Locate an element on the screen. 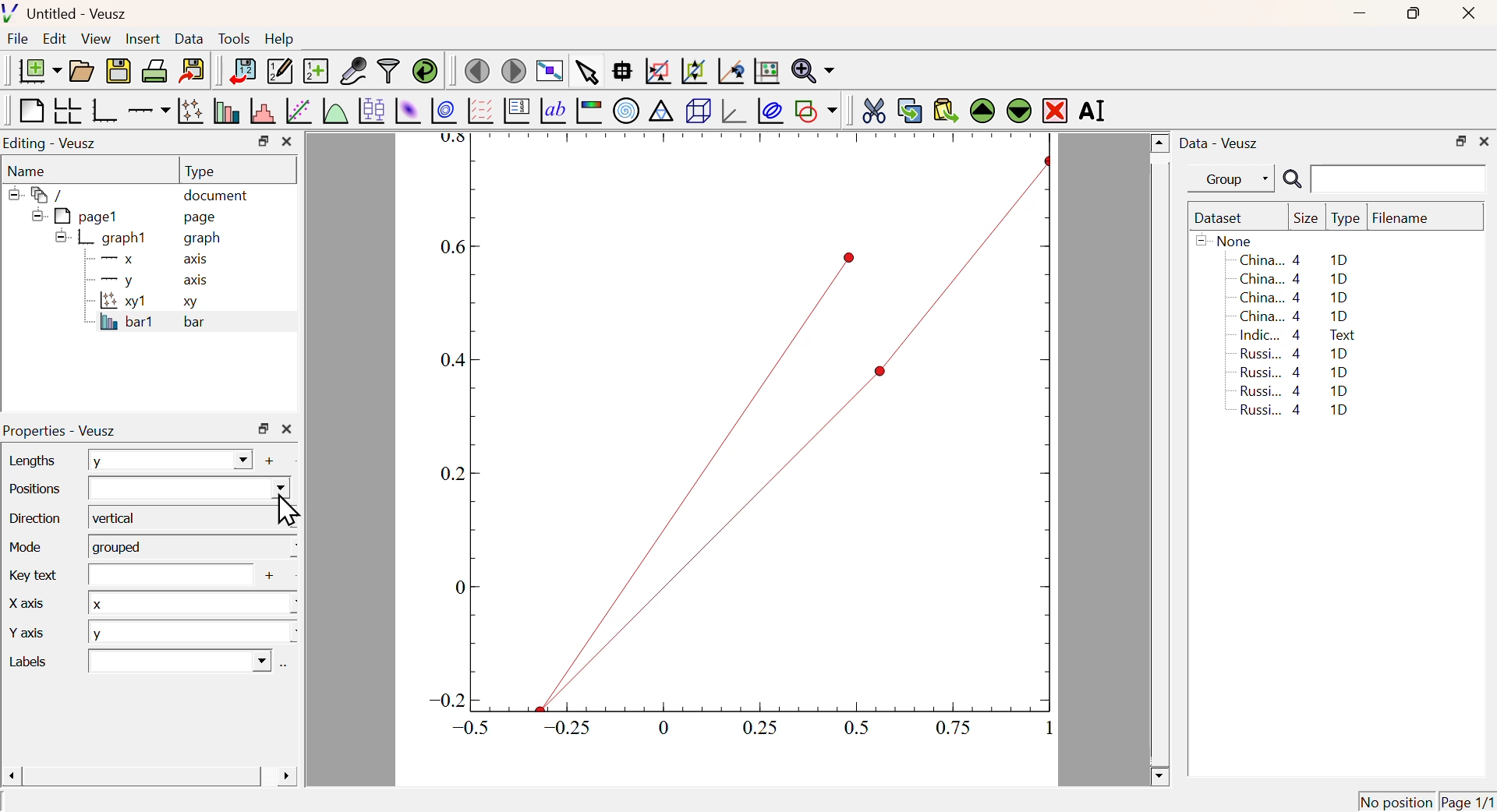  Restore Down is located at coordinates (263, 141).